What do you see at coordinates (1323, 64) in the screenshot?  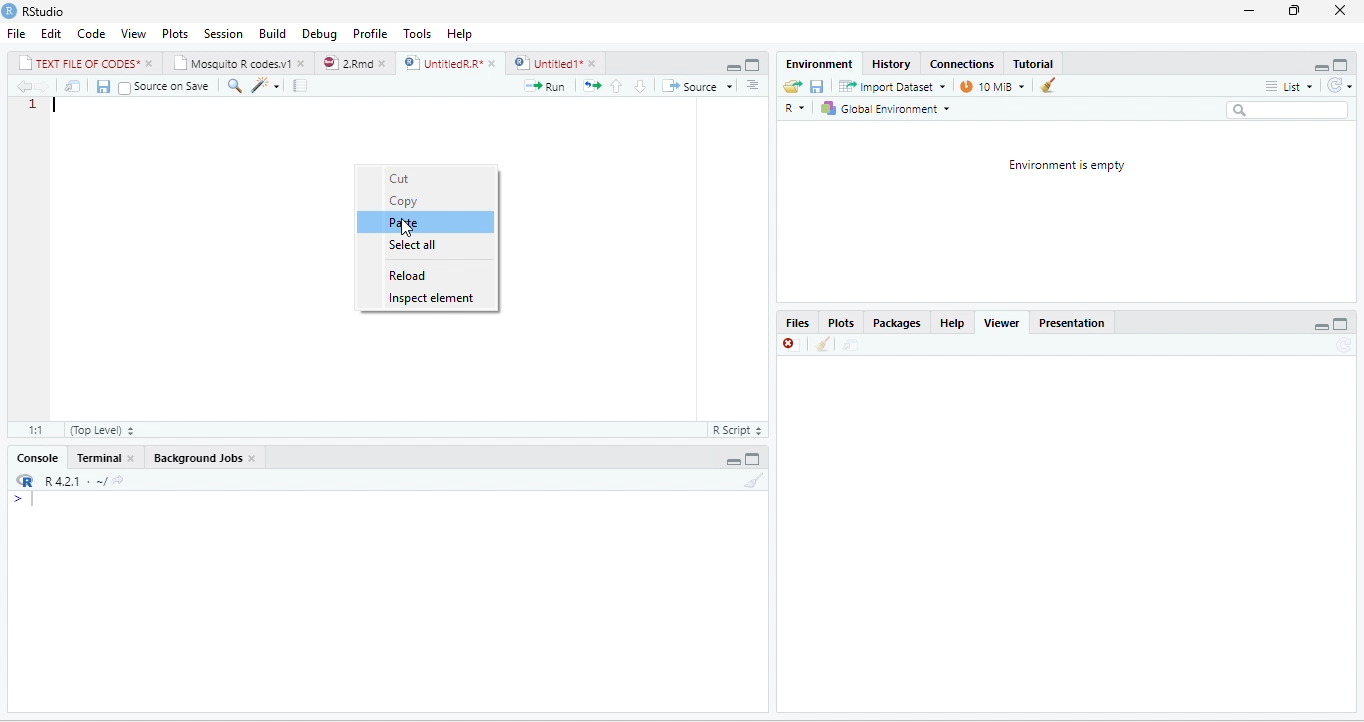 I see `minimize` at bounding box center [1323, 64].